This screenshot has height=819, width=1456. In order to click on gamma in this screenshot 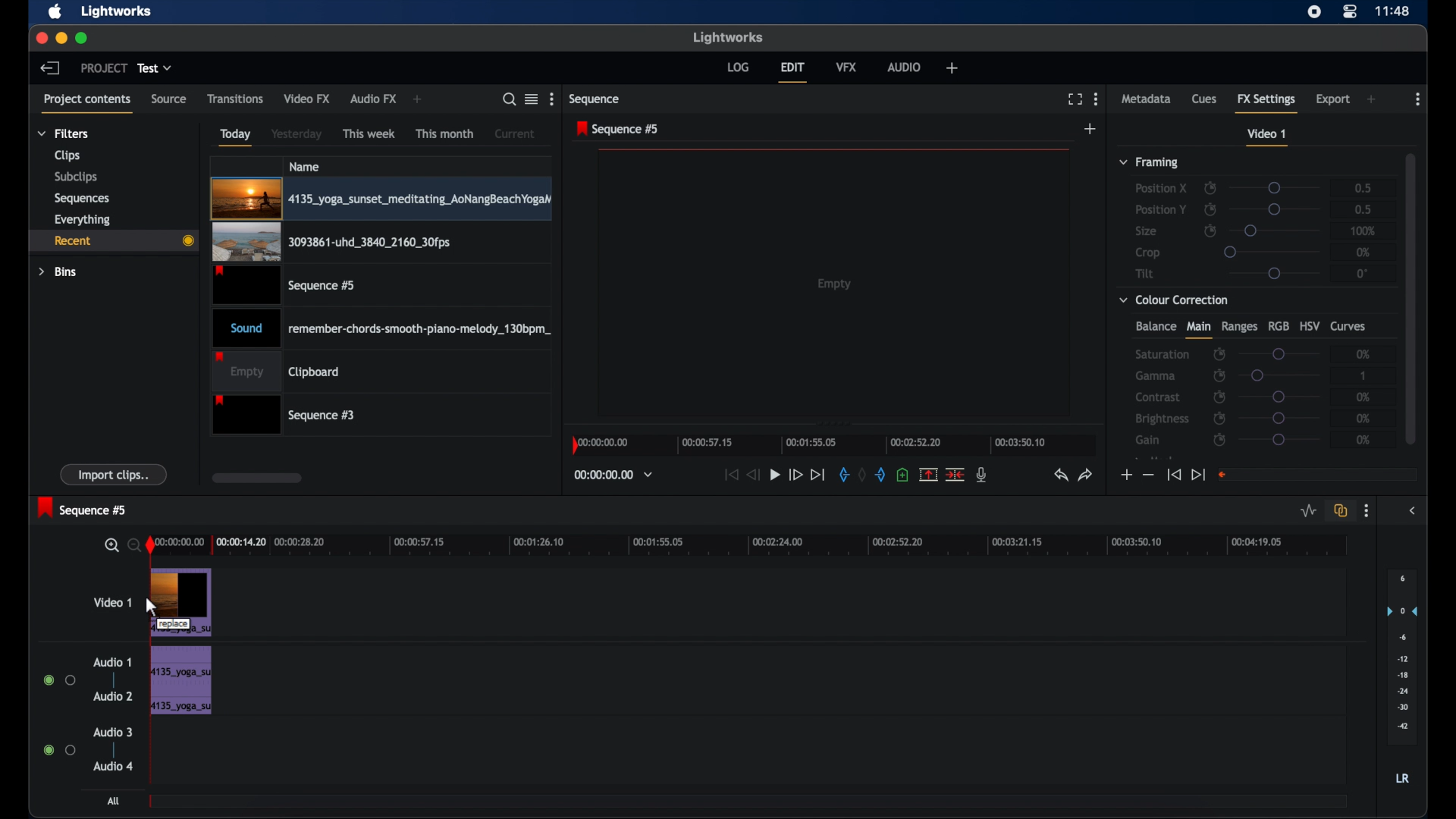, I will do `click(1155, 375)`.